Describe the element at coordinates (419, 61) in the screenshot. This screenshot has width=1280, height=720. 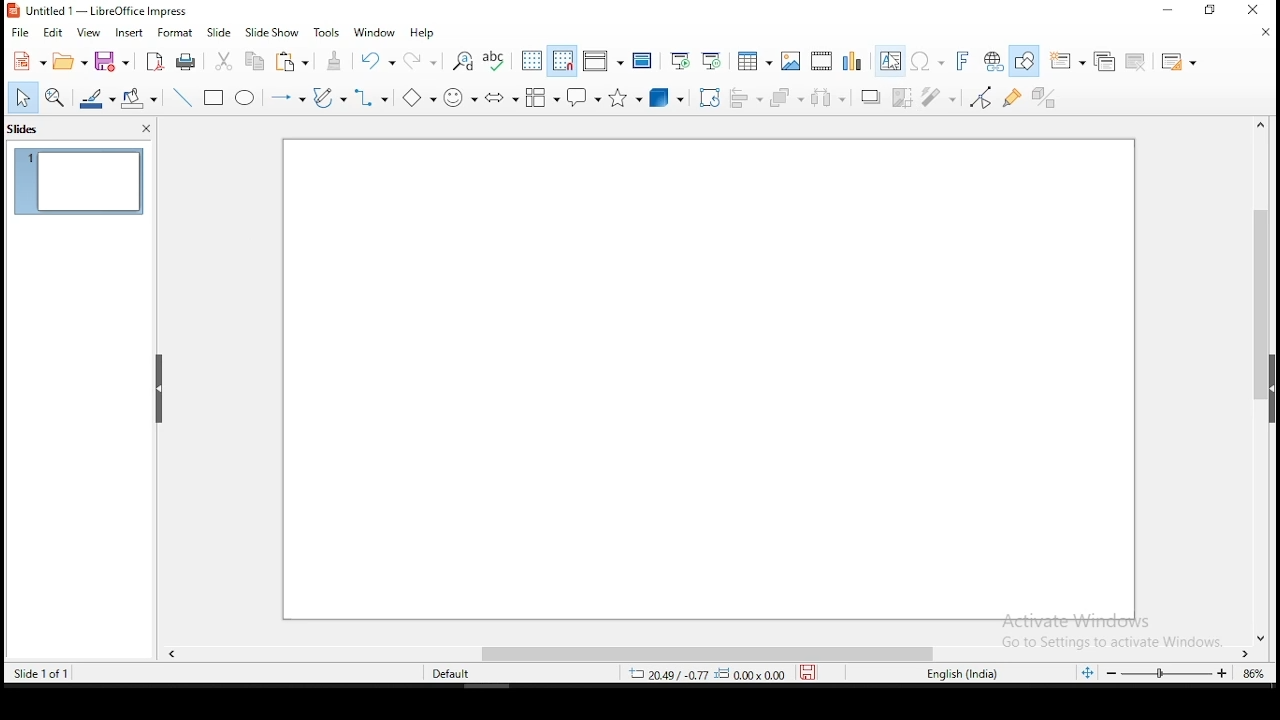
I see `redo` at that location.